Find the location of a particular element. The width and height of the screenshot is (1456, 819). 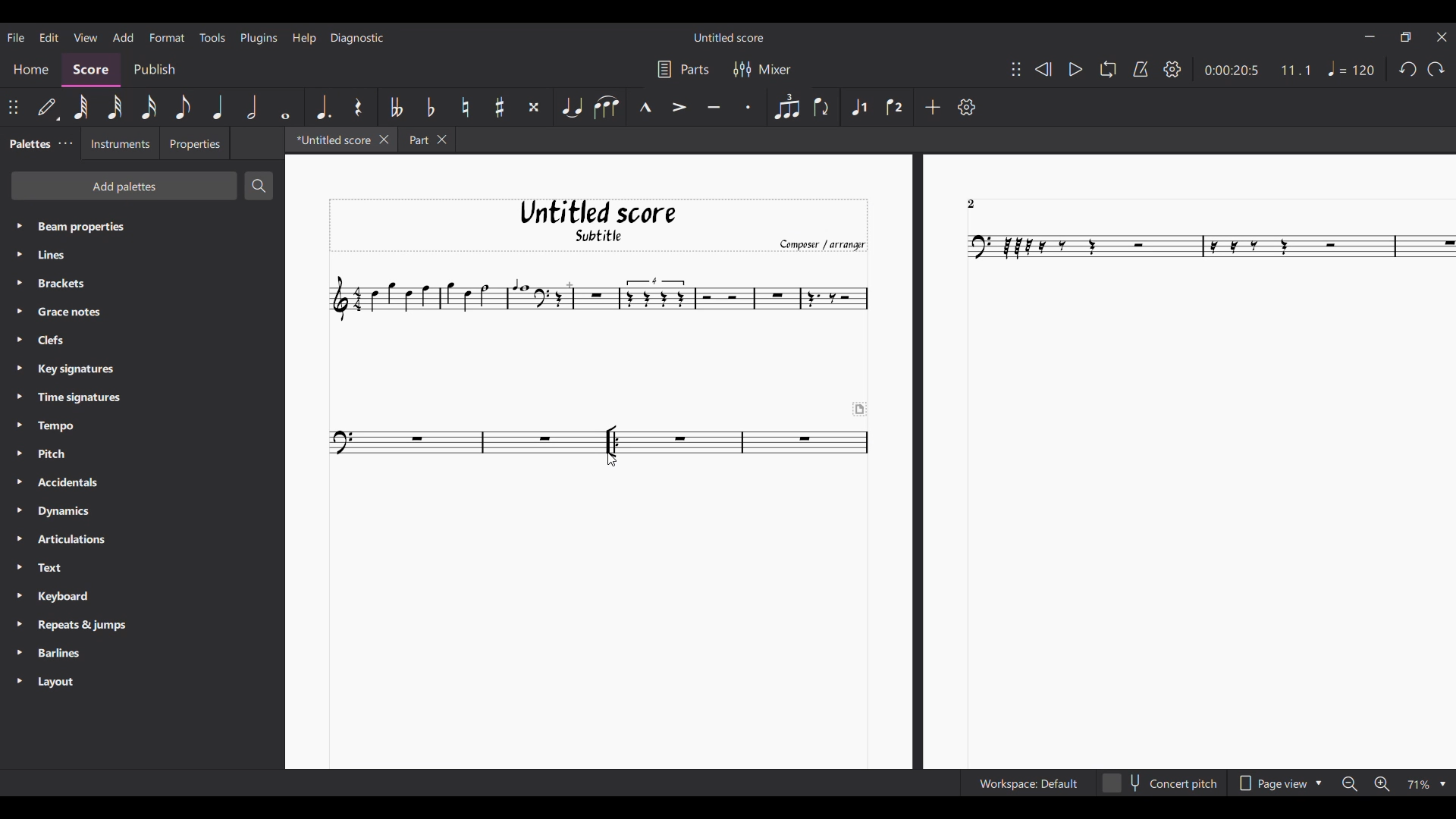

Parts settings is located at coordinates (684, 69).